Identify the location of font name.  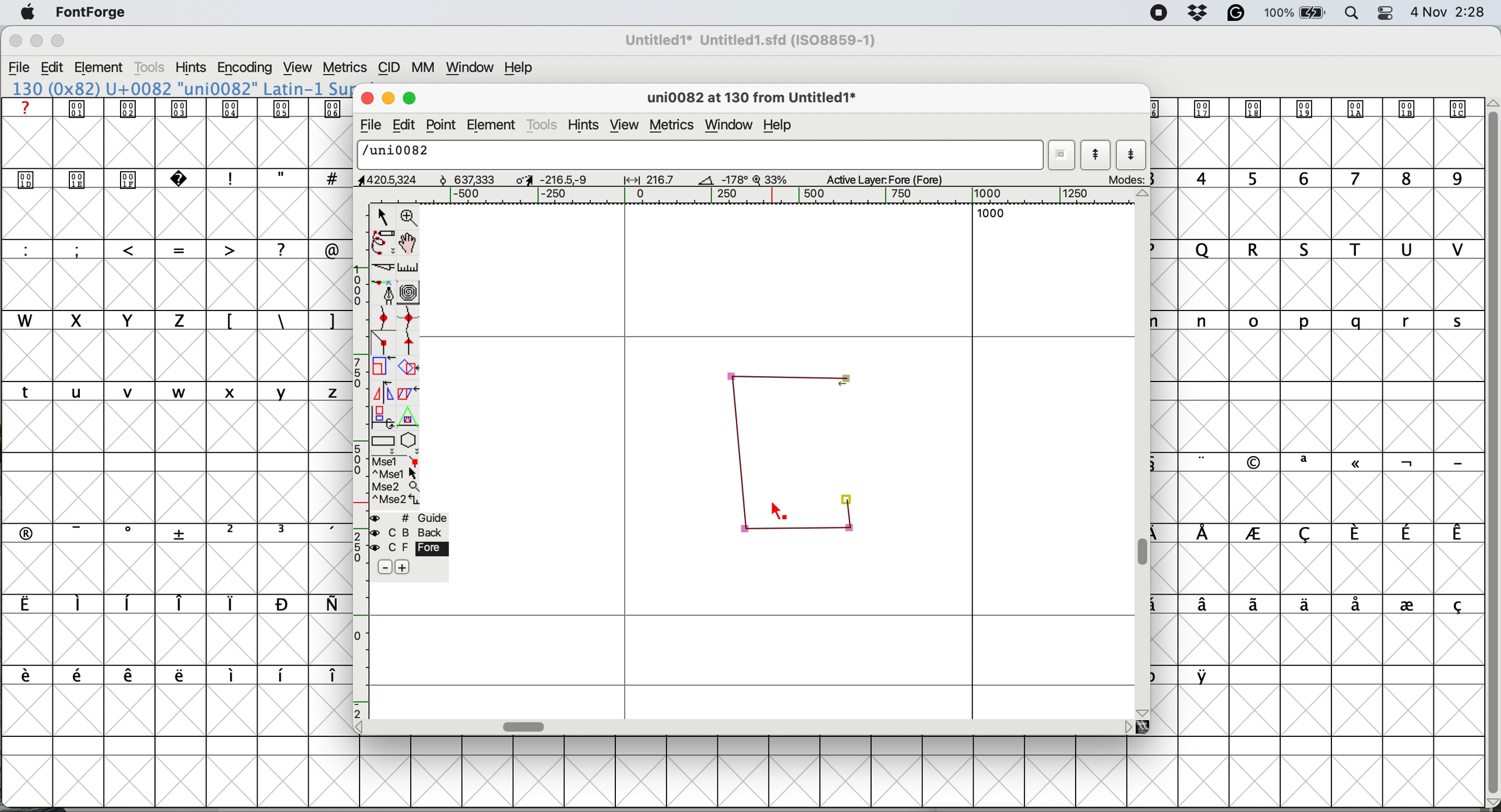
(179, 89).